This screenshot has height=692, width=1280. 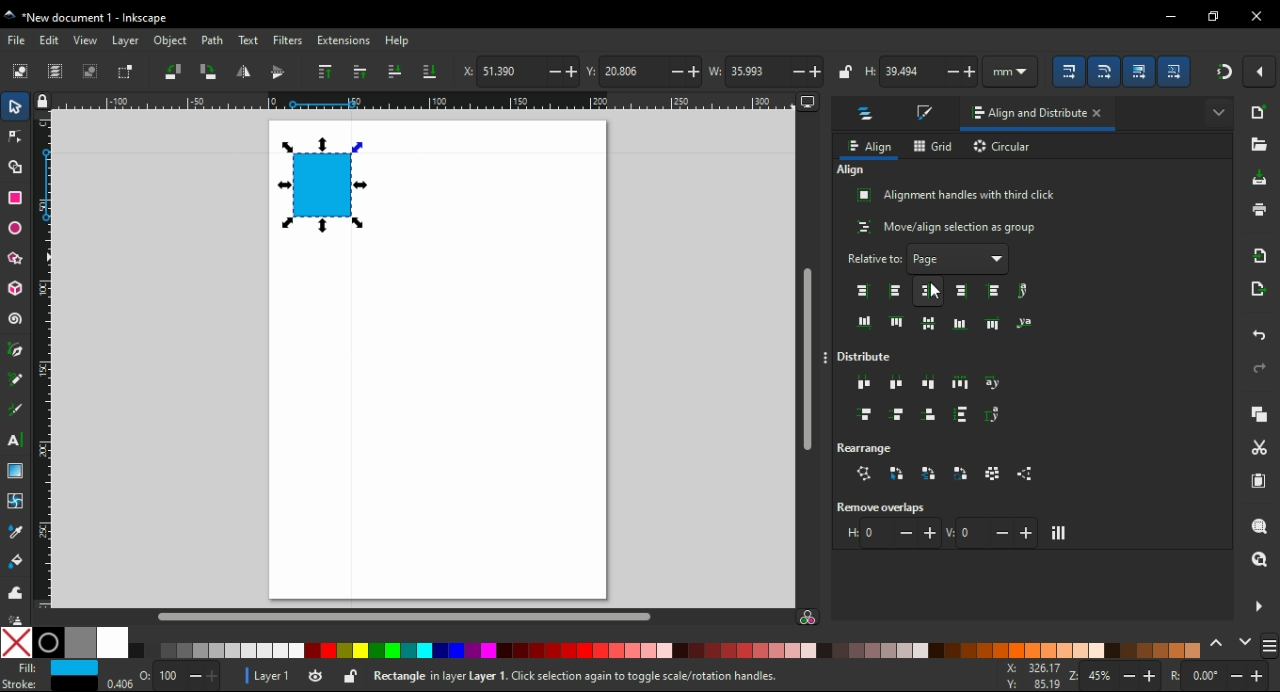 What do you see at coordinates (934, 146) in the screenshot?
I see `grid` at bounding box center [934, 146].